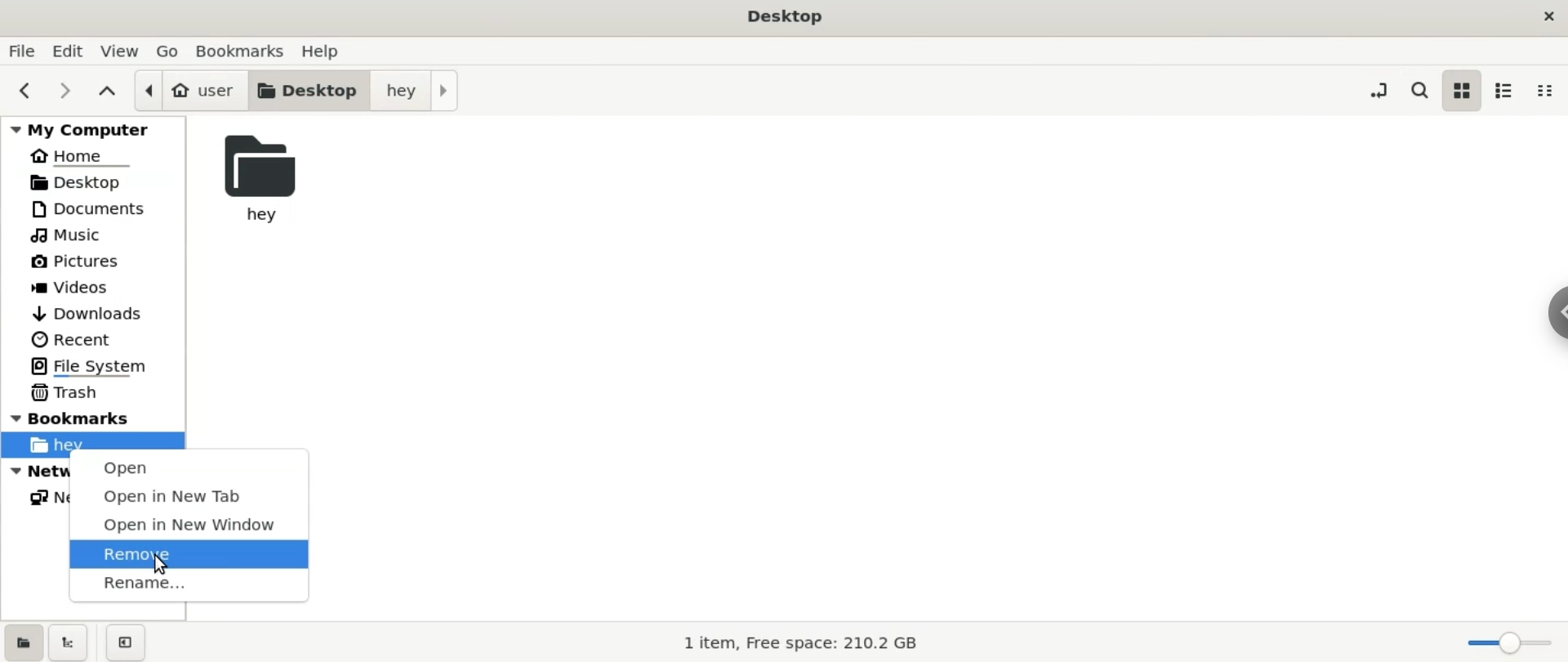 Image resolution: width=1568 pixels, height=662 pixels. Describe the element at coordinates (95, 130) in the screenshot. I see `my computer` at that location.